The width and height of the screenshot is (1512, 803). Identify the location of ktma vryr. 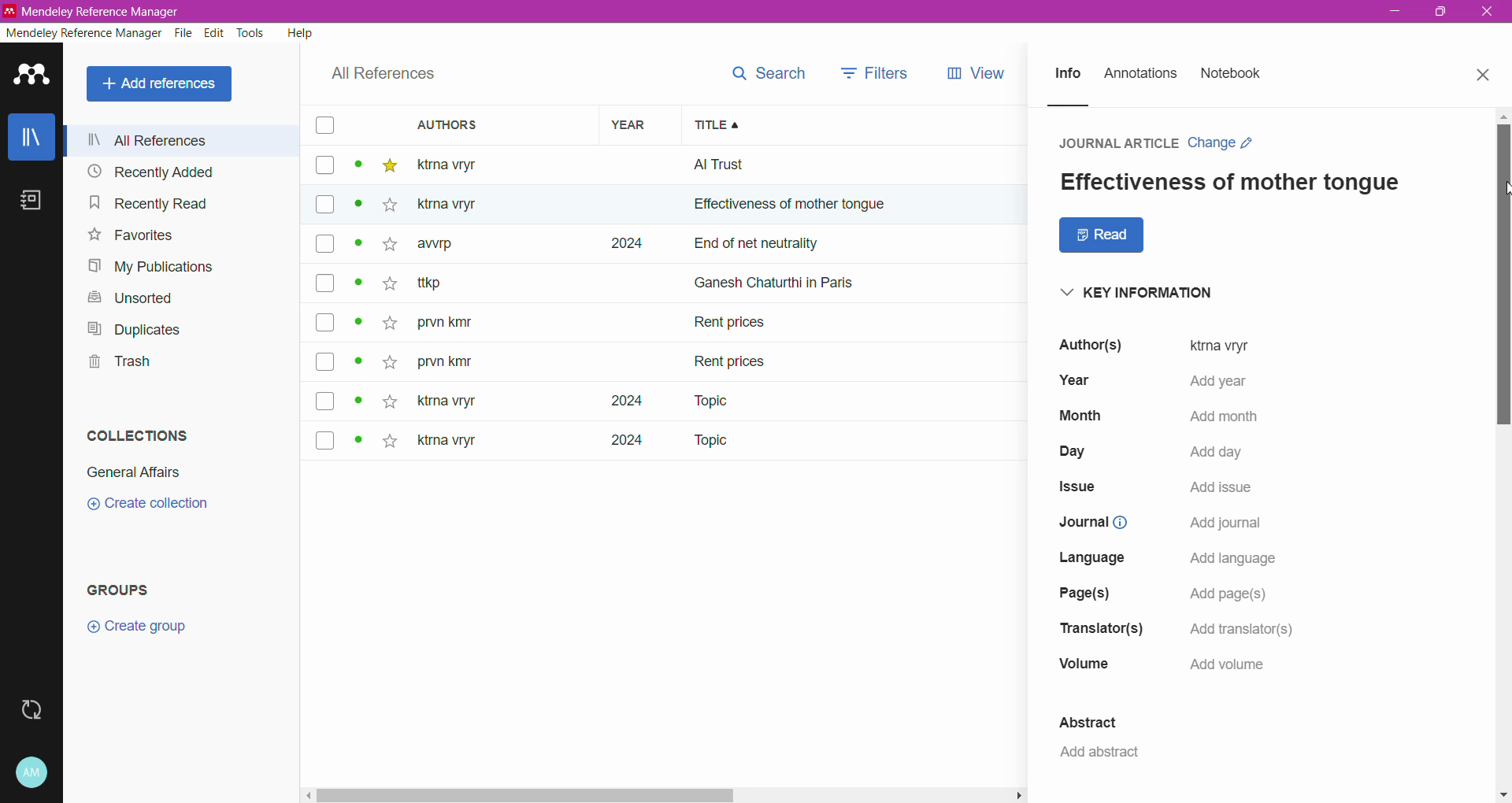
(447, 444).